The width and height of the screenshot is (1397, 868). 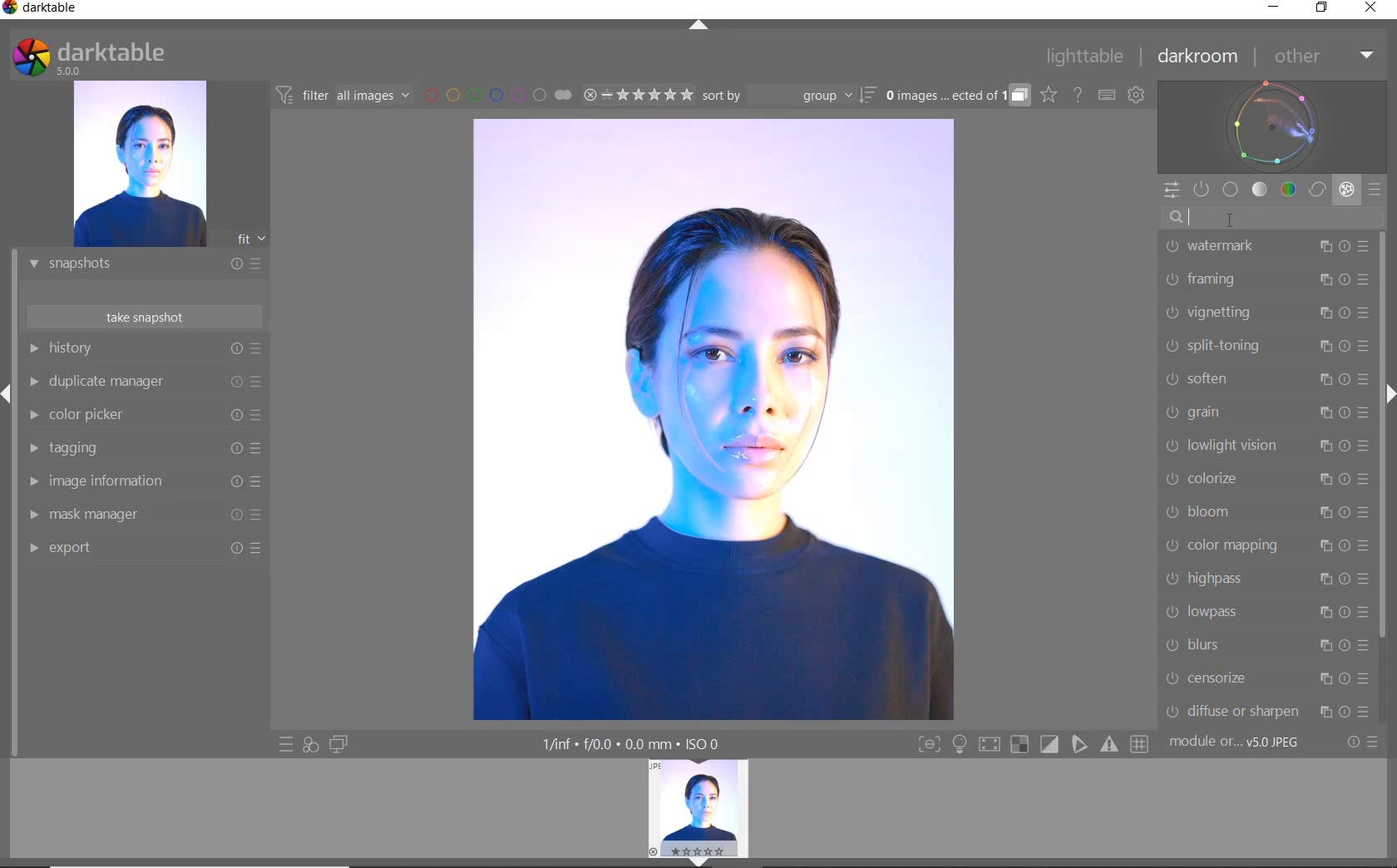 I want to click on BLURS, so click(x=1266, y=645).